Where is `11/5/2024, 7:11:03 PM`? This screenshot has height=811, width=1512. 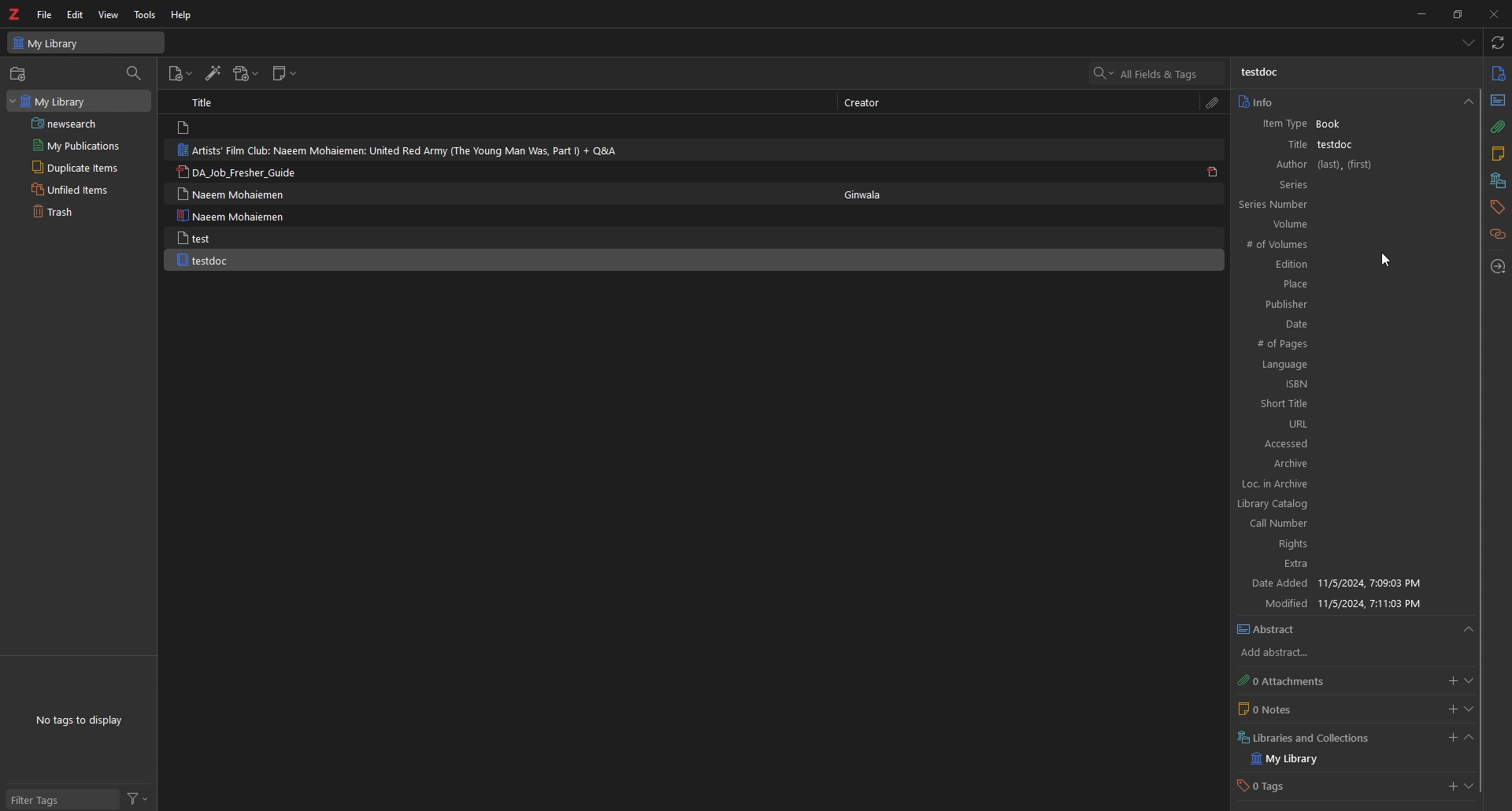
11/5/2024, 7:11:03 PM is located at coordinates (1375, 604).